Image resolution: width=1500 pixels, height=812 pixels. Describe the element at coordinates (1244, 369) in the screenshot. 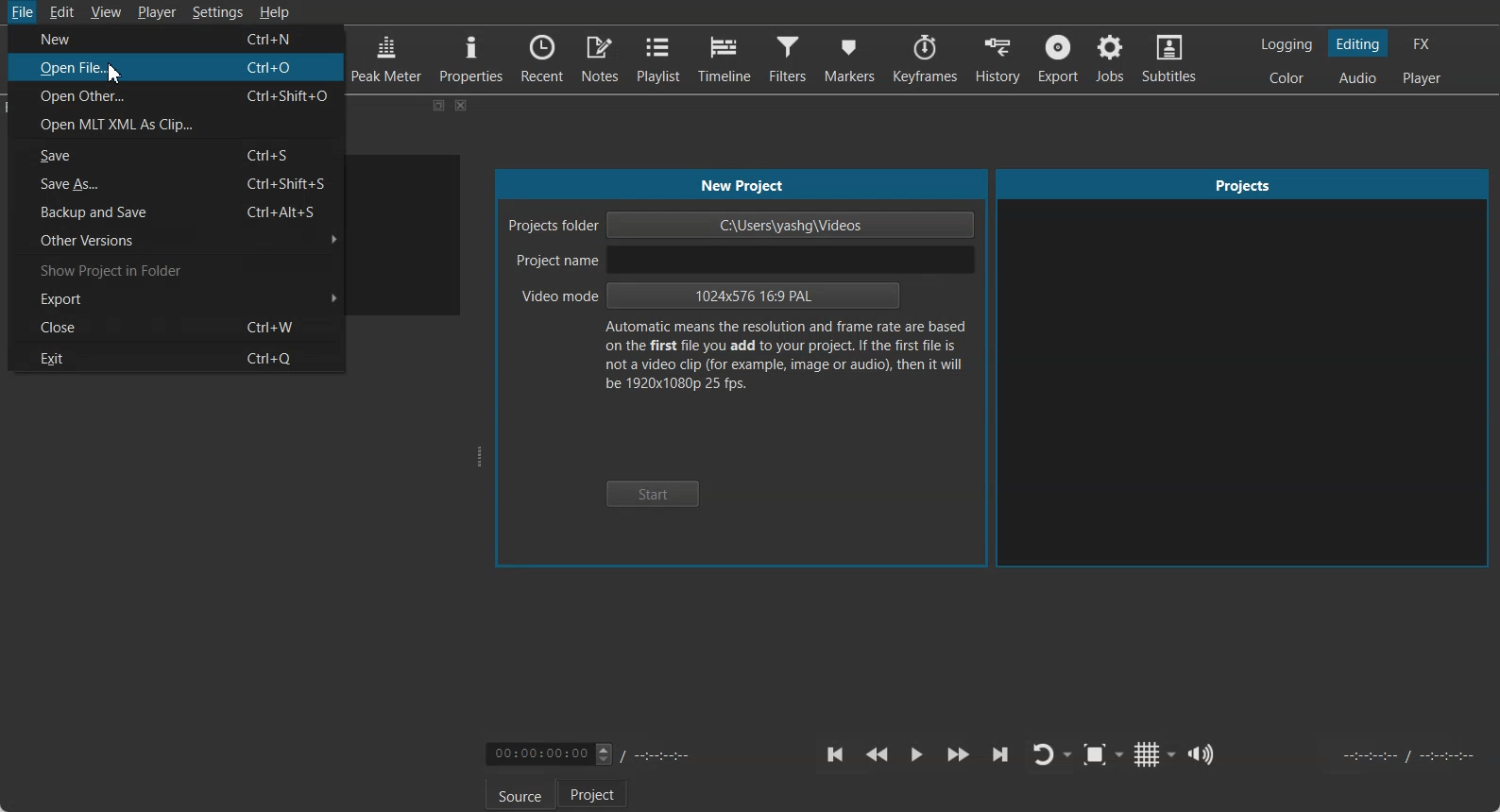

I see `Project Preview` at that location.